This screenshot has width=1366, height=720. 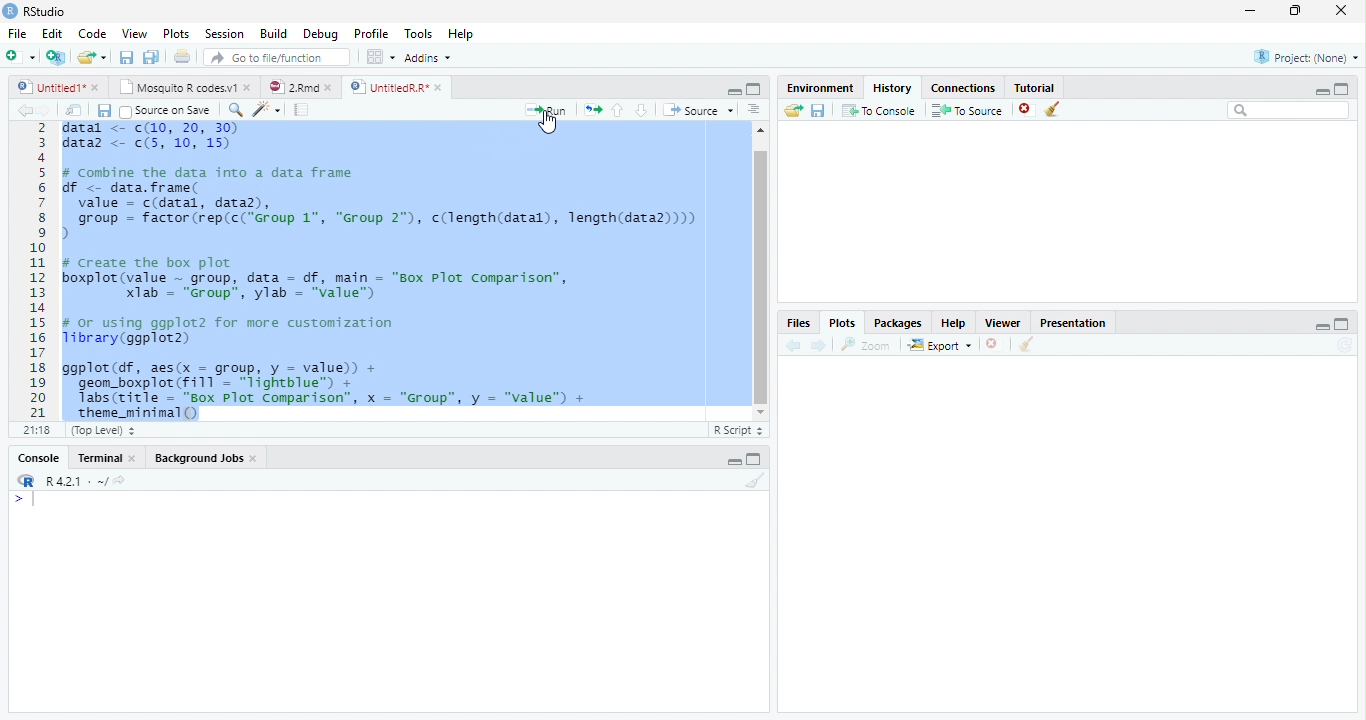 I want to click on Profile, so click(x=371, y=33).